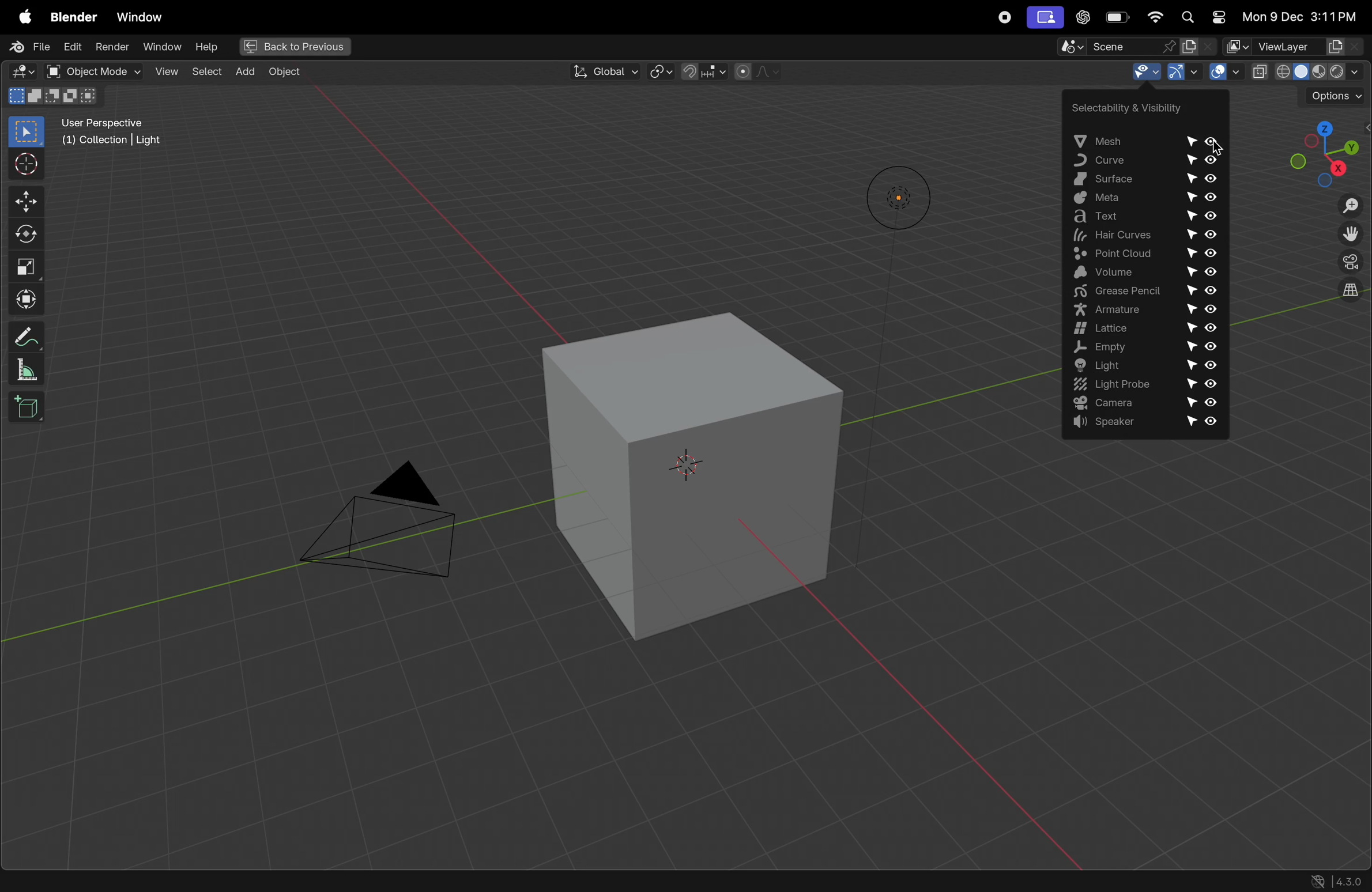 The width and height of the screenshot is (1372, 892). I want to click on edit mode, so click(21, 71).